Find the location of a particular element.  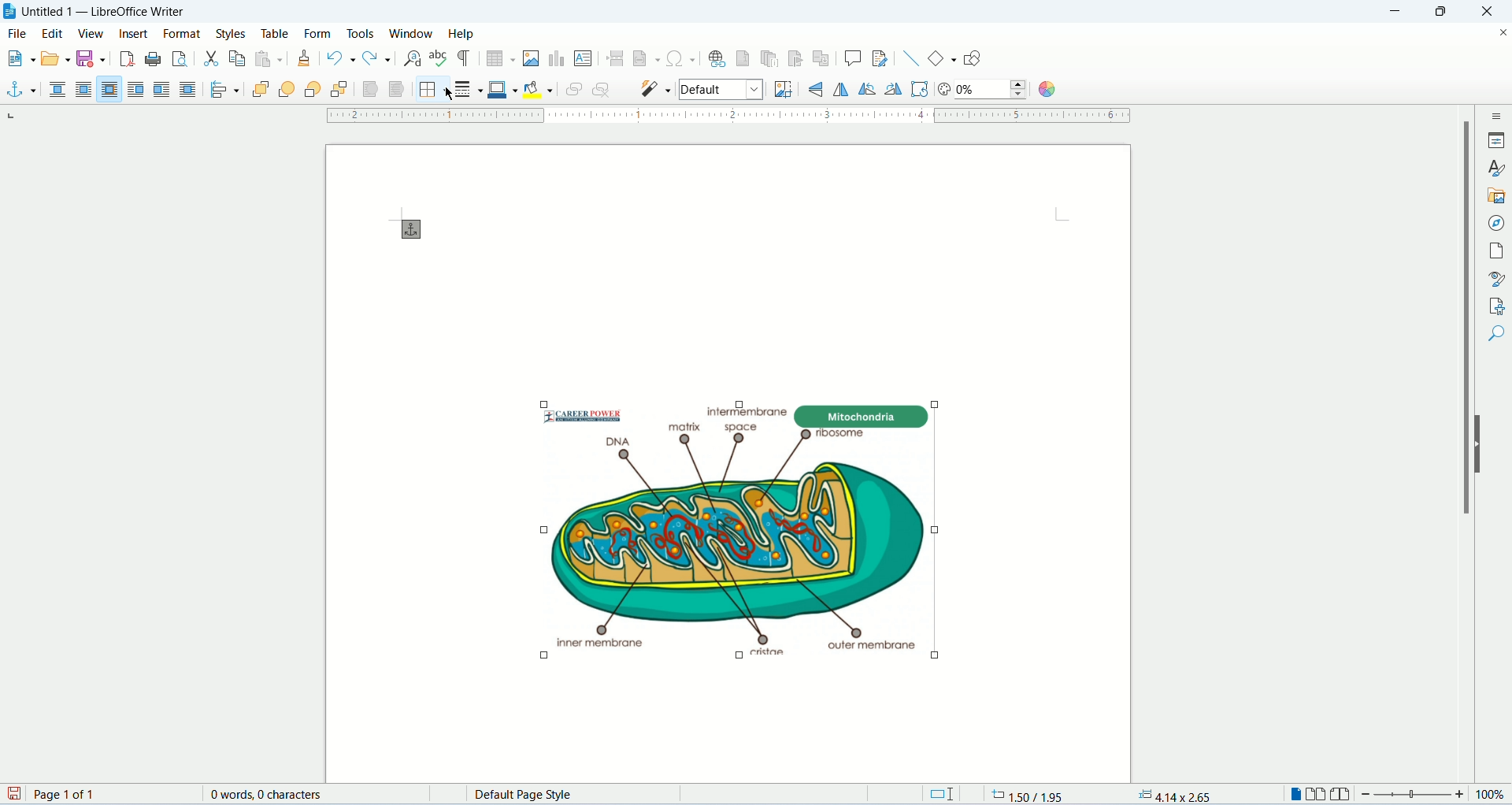

single page view is located at coordinates (1293, 796).